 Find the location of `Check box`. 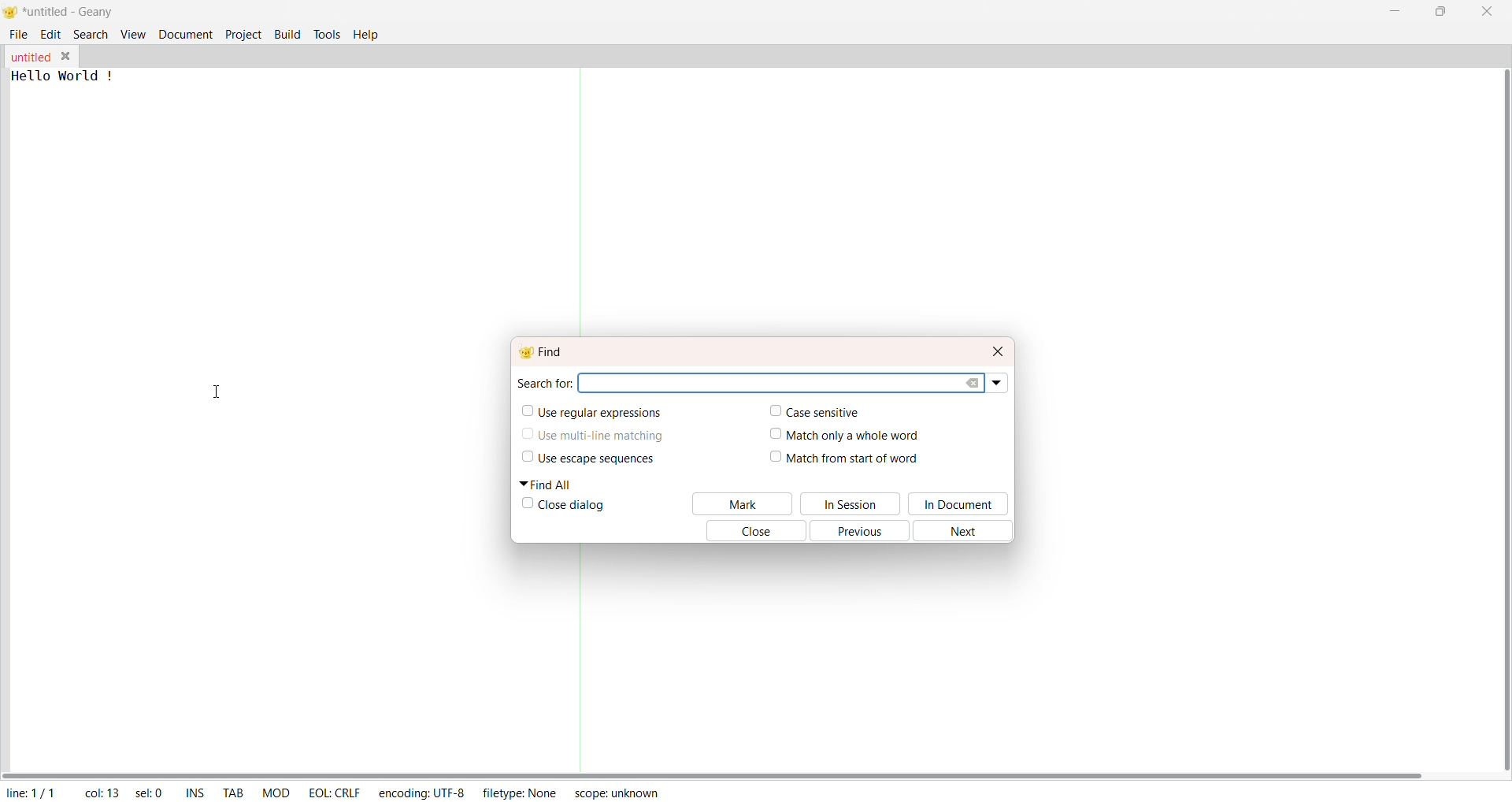

Check box is located at coordinates (525, 505).